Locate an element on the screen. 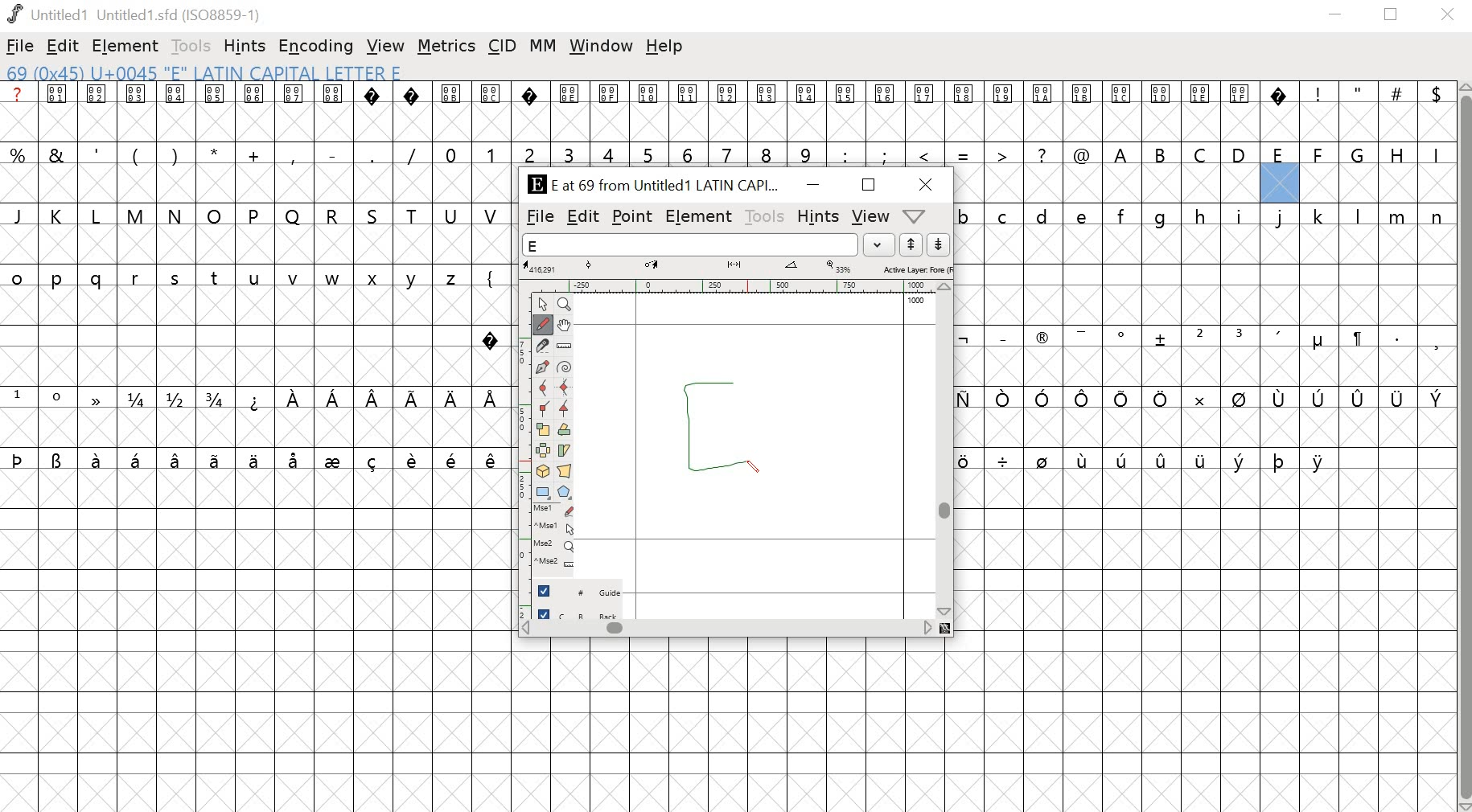 The height and width of the screenshot is (812, 1472). Skew is located at coordinates (566, 450).